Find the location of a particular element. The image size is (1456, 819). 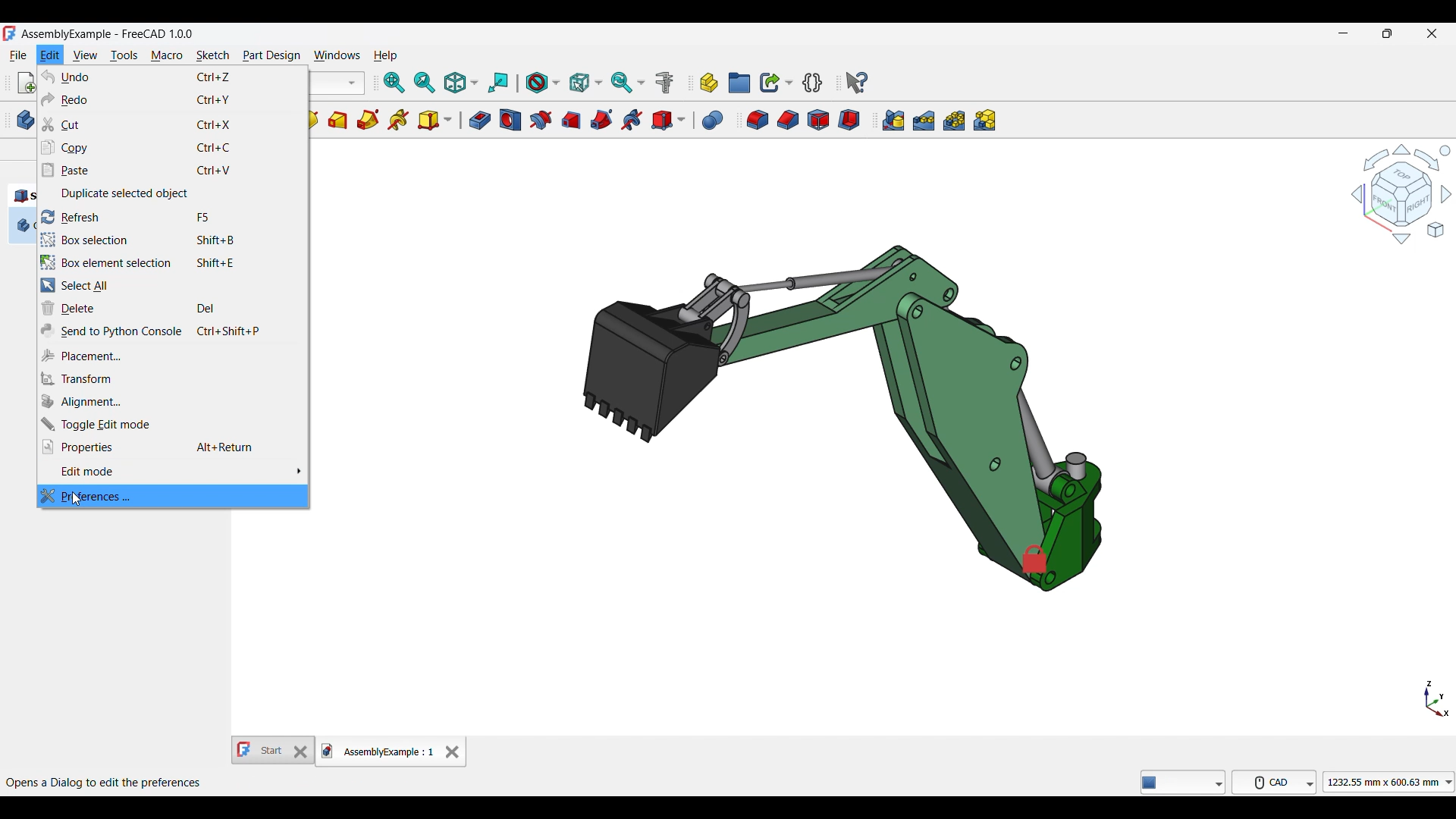

Chamfer is located at coordinates (788, 121).